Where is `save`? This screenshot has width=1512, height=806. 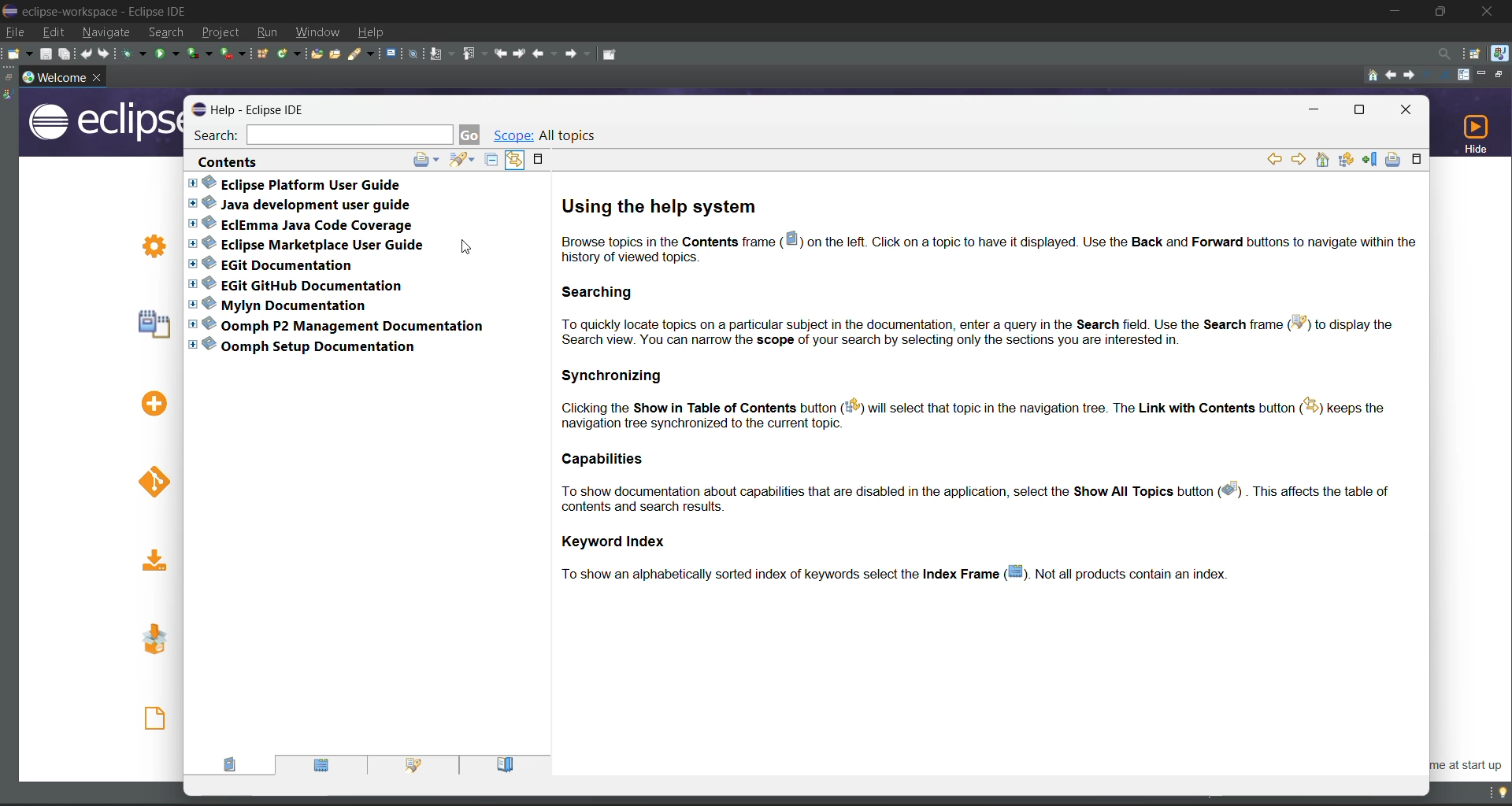 save is located at coordinates (46, 53).